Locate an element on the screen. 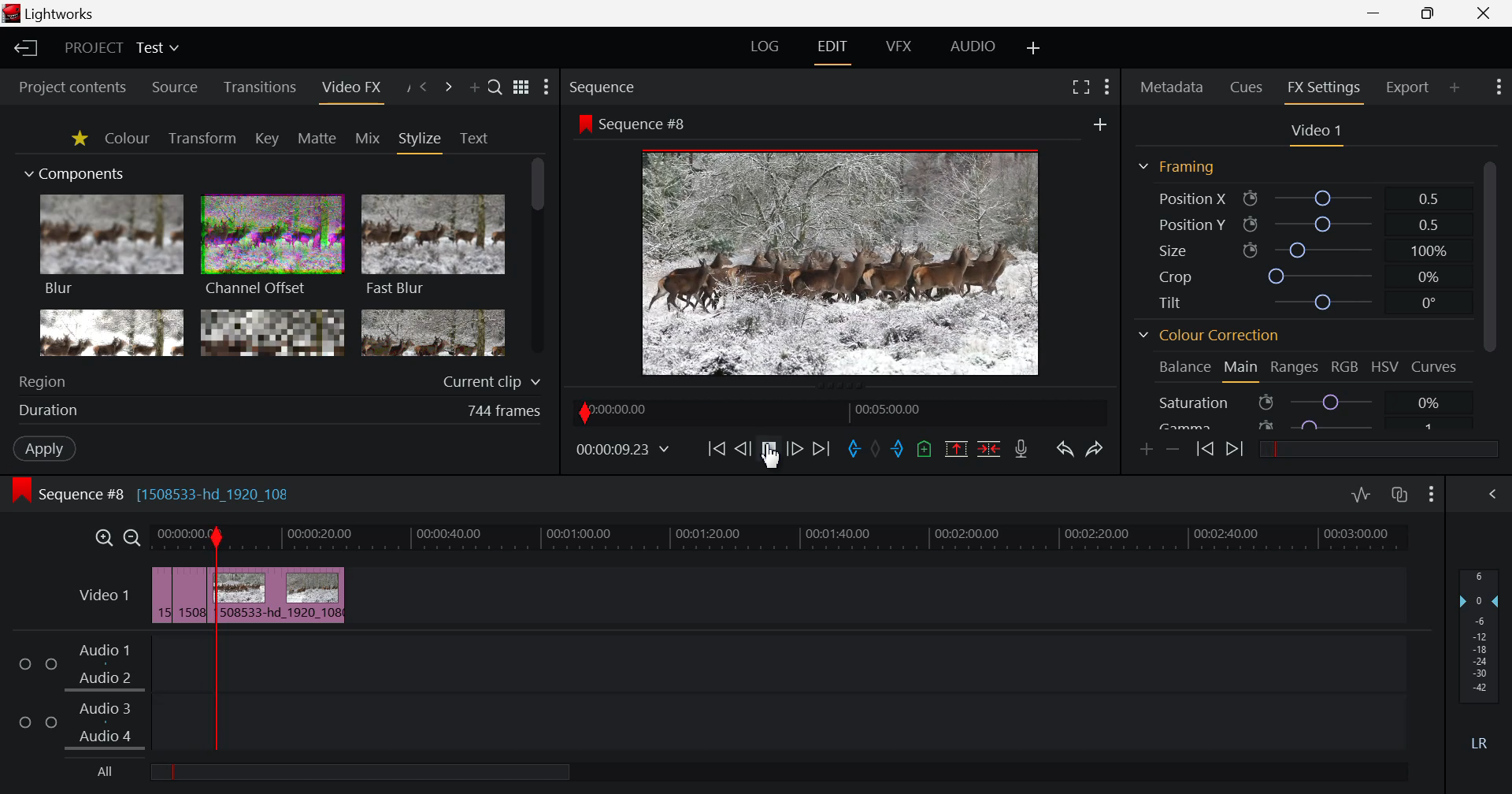 This screenshot has width=1512, height=794. Timeline Zoom In is located at coordinates (102, 538).